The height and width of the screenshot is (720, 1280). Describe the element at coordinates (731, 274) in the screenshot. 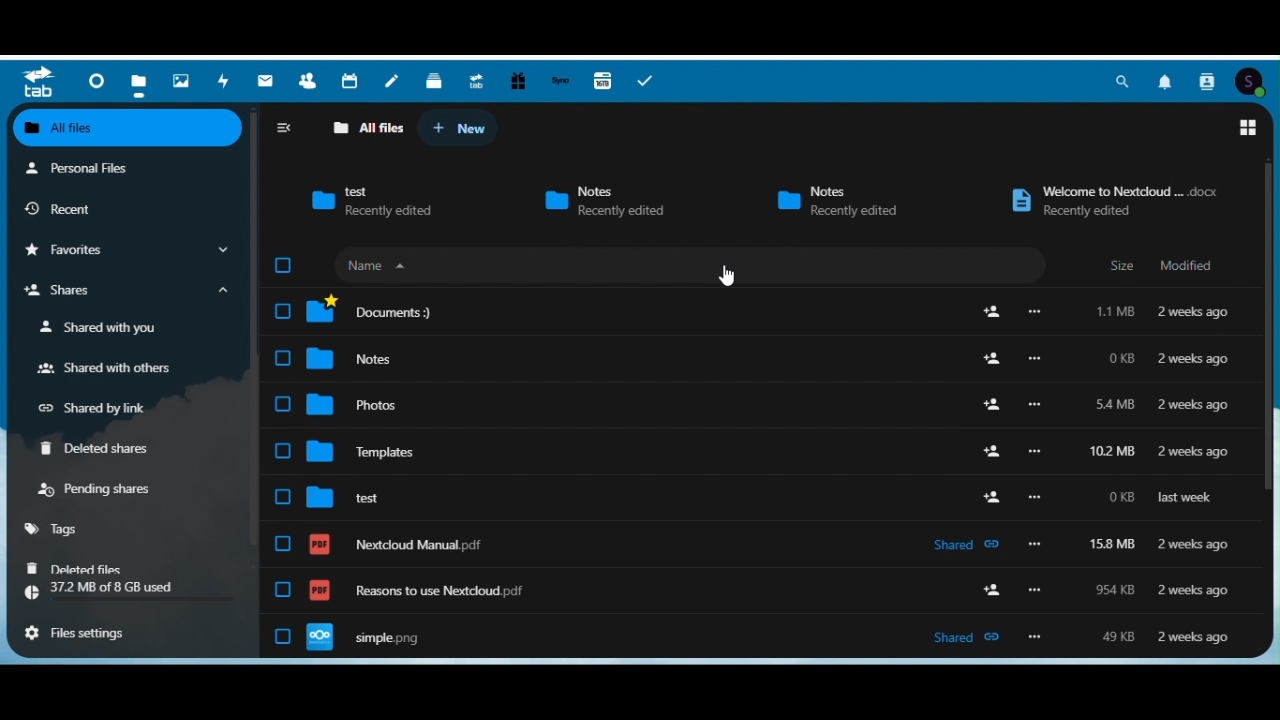

I see `cursor` at that location.